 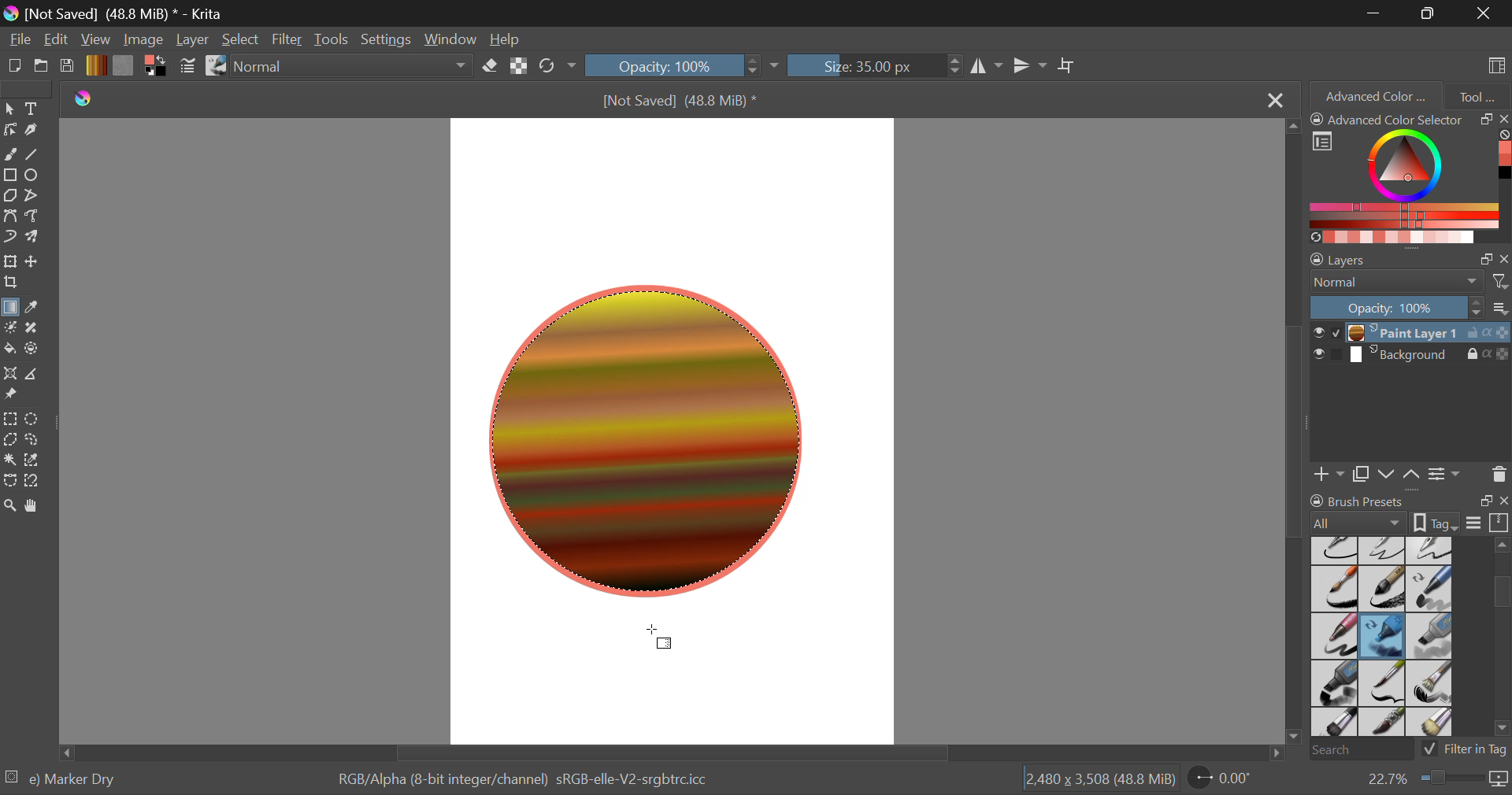 I want to click on Colors in Use, so click(x=154, y=66).